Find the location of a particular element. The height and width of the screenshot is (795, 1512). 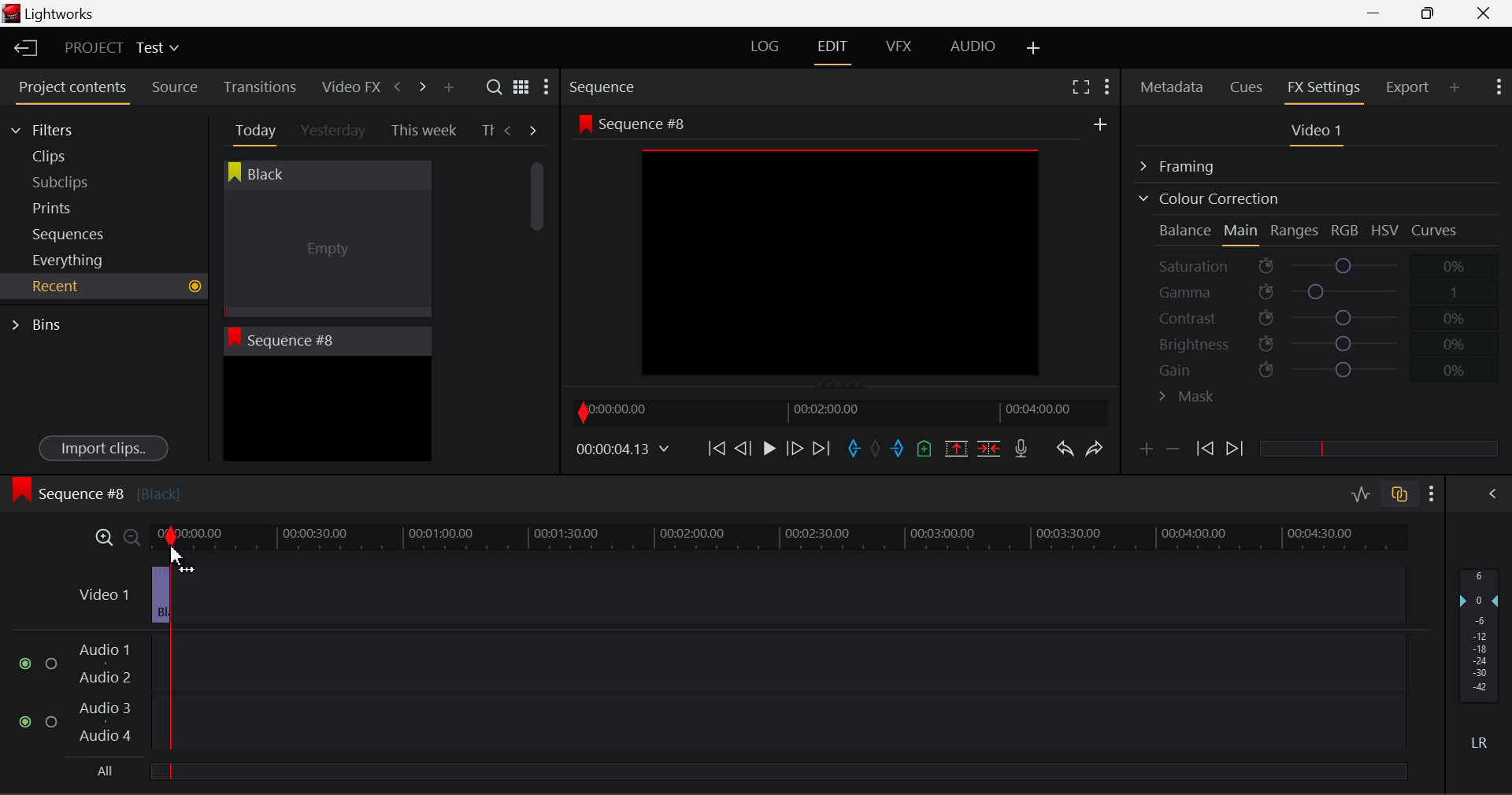

Prints is located at coordinates (74, 205).